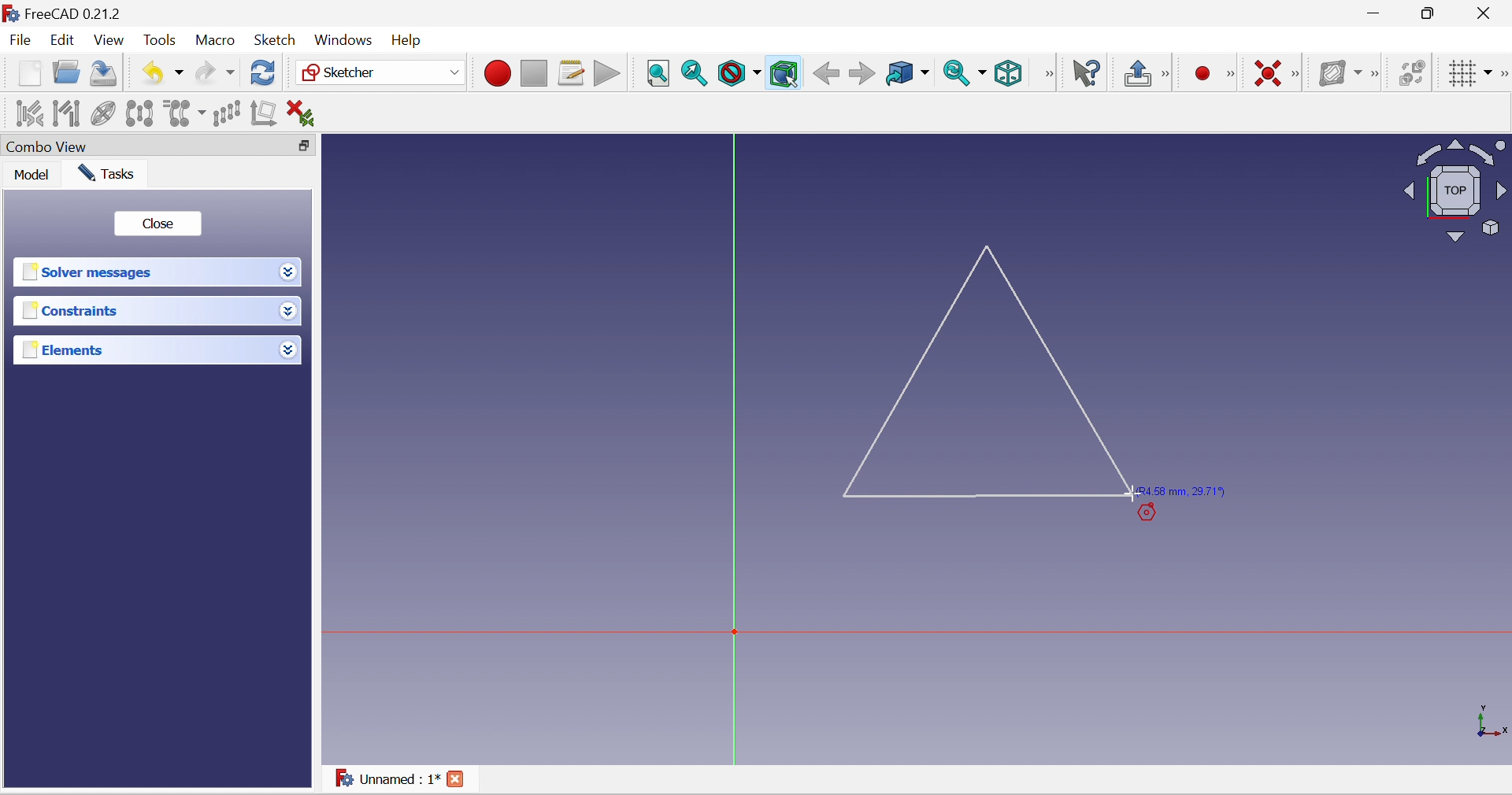 Image resolution: width=1512 pixels, height=795 pixels. Describe the element at coordinates (106, 74) in the screenshot. I see `Save` at that location.